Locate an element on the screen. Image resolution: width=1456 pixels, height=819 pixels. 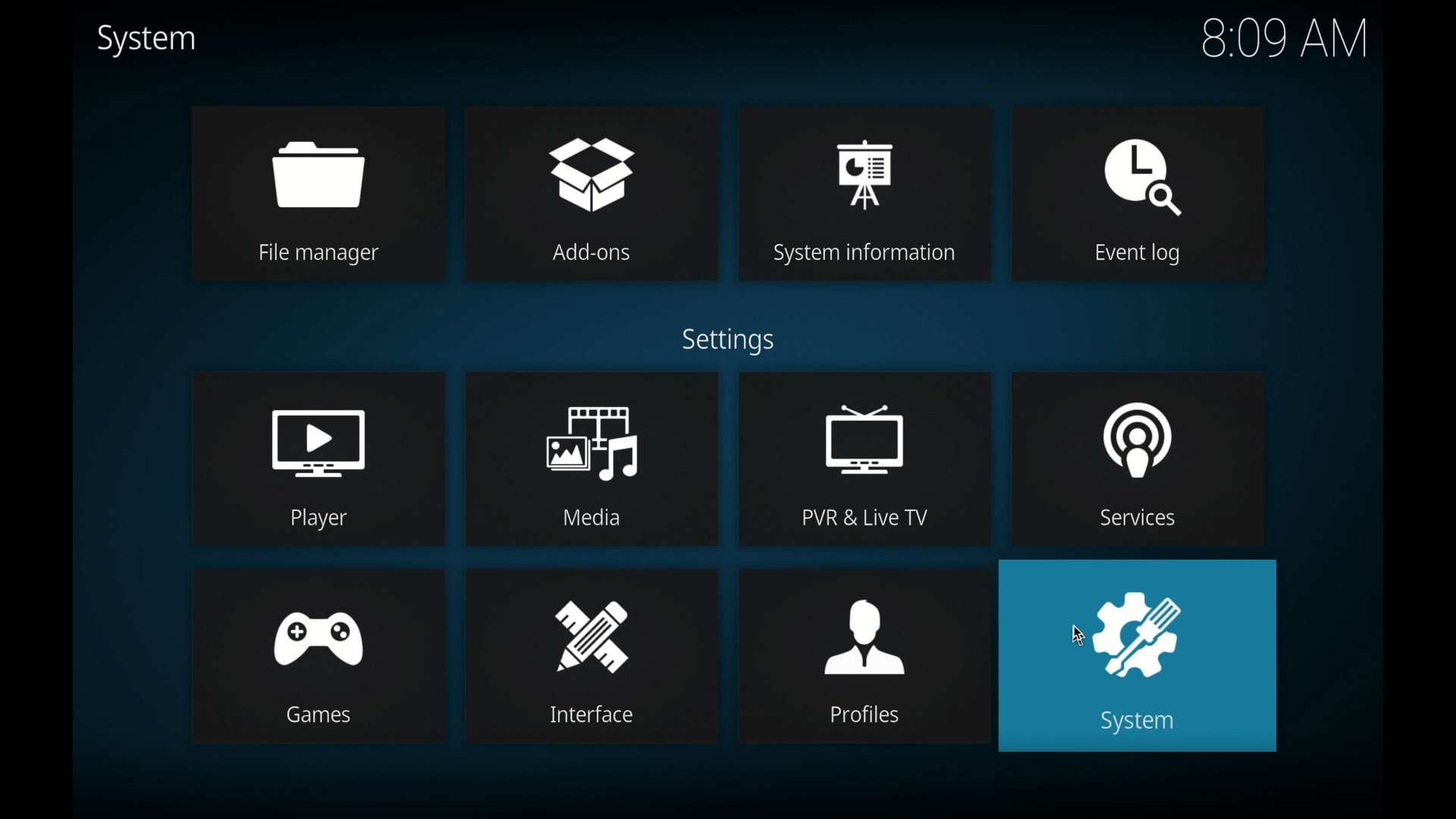
cursor is located at coordinates (1078, 634).